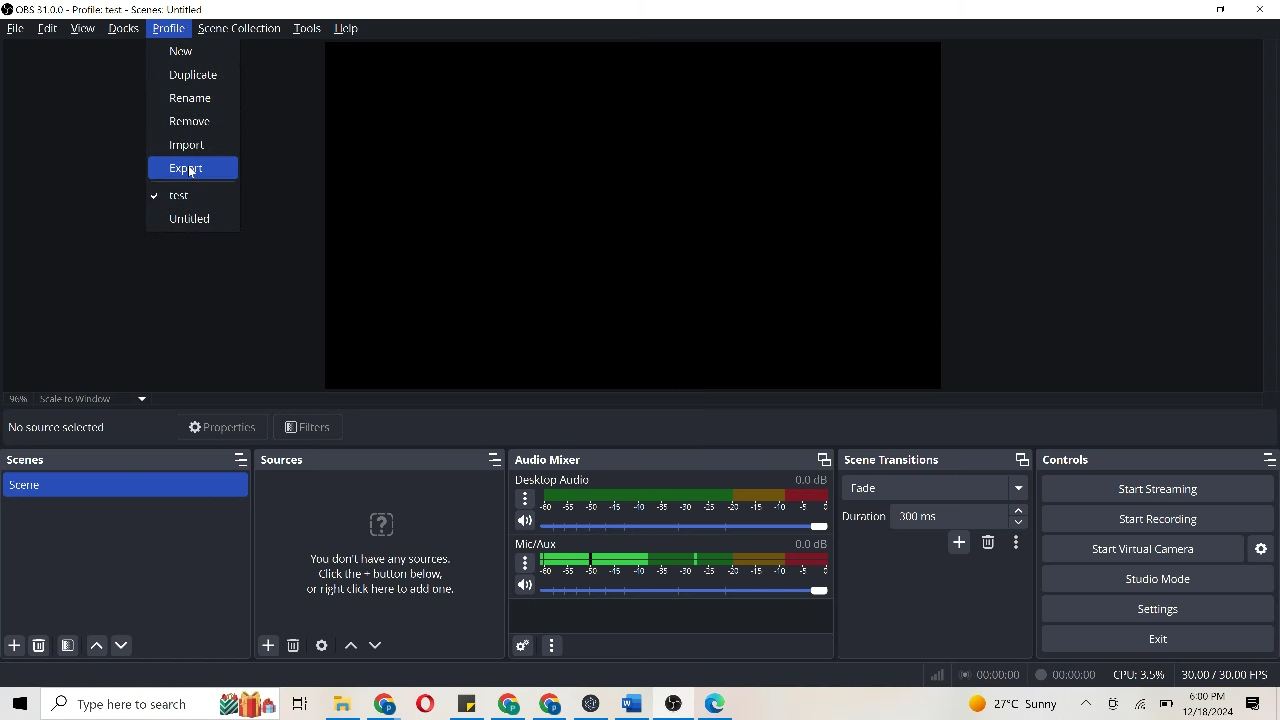  Describe the element at coordinates (293, 647) in the screenshot. I see `remove` at that location.